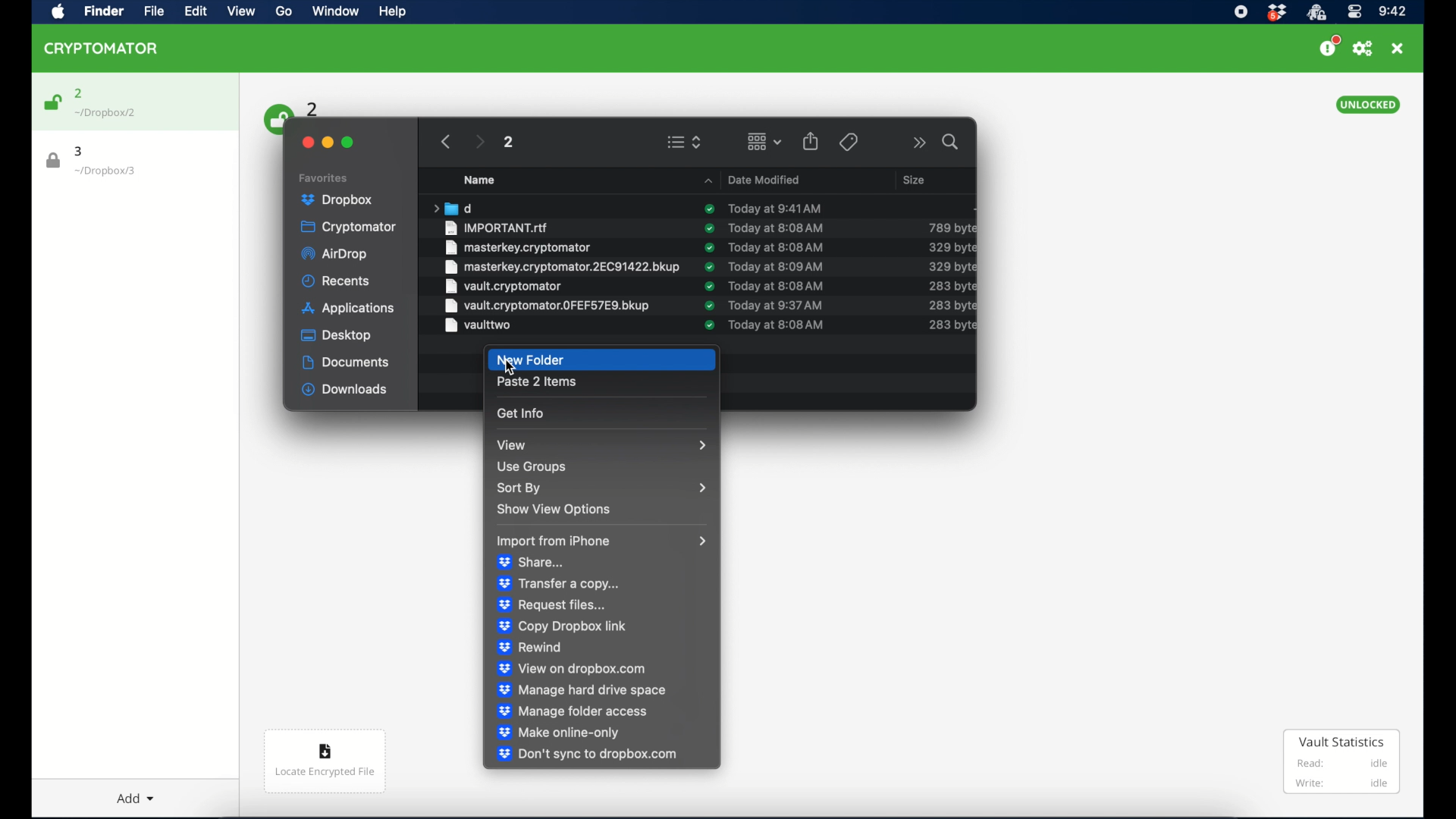  I want to click on vault two, so click(479, 325).